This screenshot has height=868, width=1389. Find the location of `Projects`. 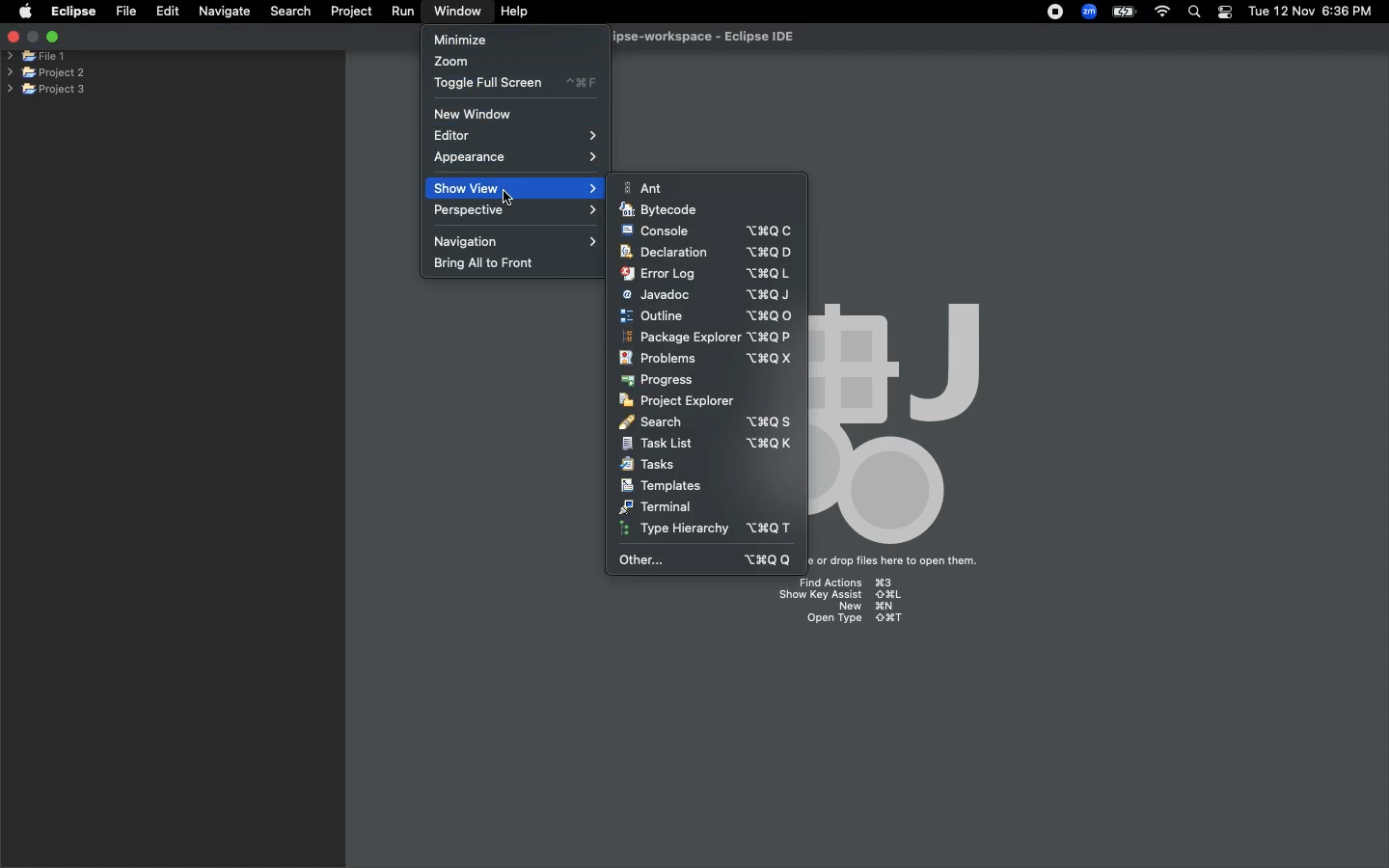

Projects is located at coordinates (47, 70).